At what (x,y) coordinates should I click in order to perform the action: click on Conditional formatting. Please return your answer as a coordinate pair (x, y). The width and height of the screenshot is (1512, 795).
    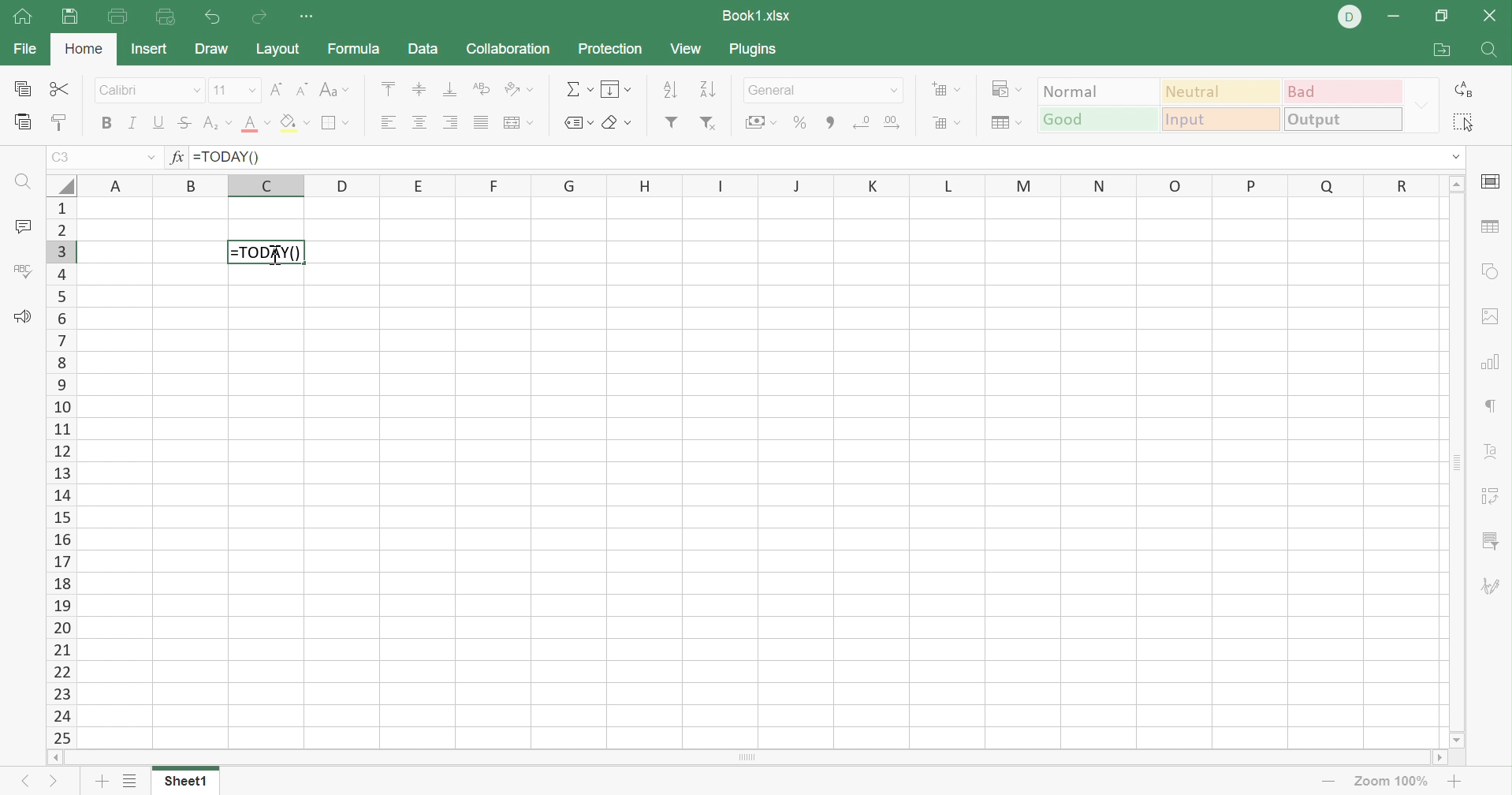
    Looking at the image, I should click on (1011, 87).